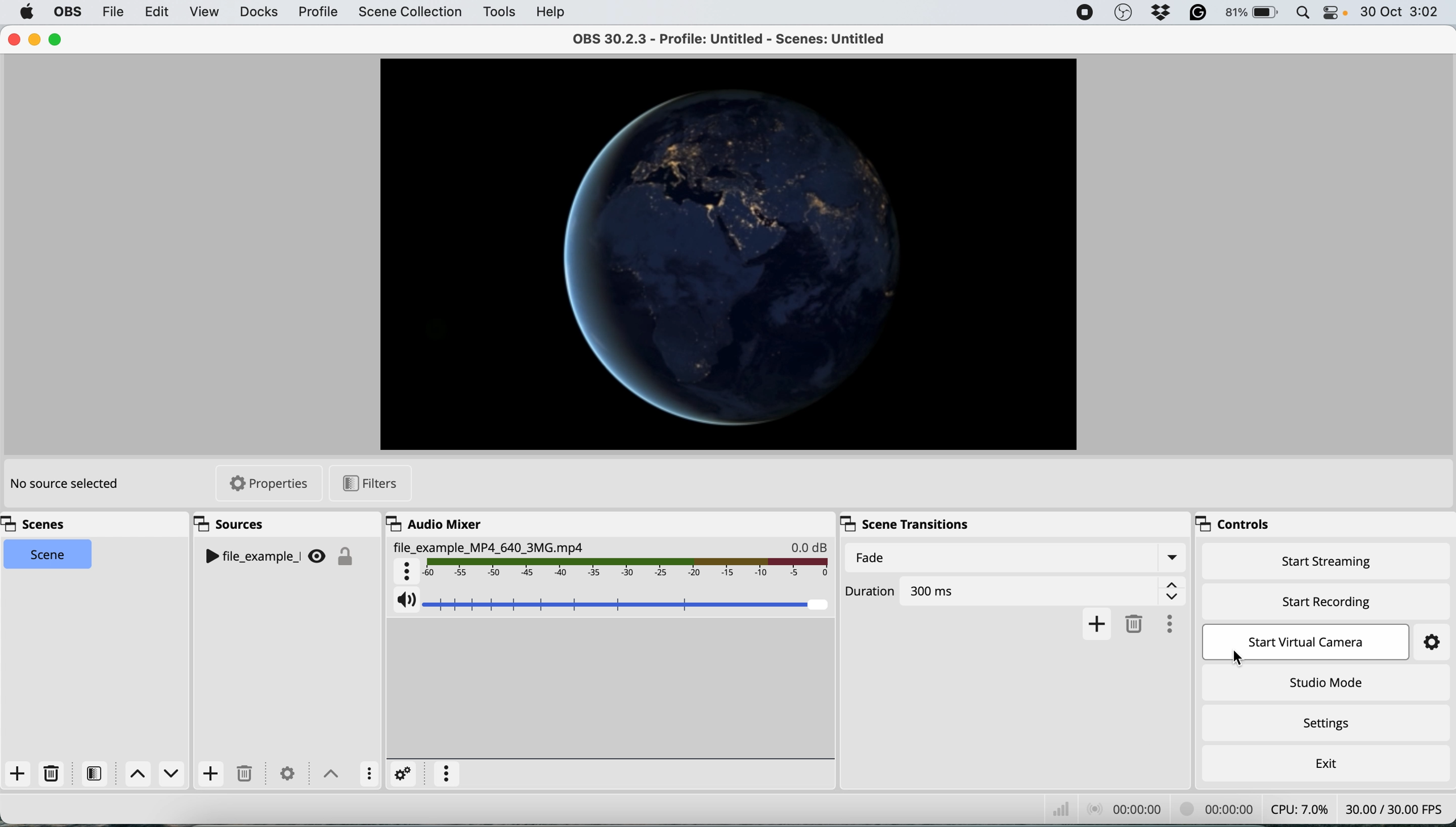 This screenshot has width=1456, height=827. I want to click on cpu usage, so click(1298, 809).